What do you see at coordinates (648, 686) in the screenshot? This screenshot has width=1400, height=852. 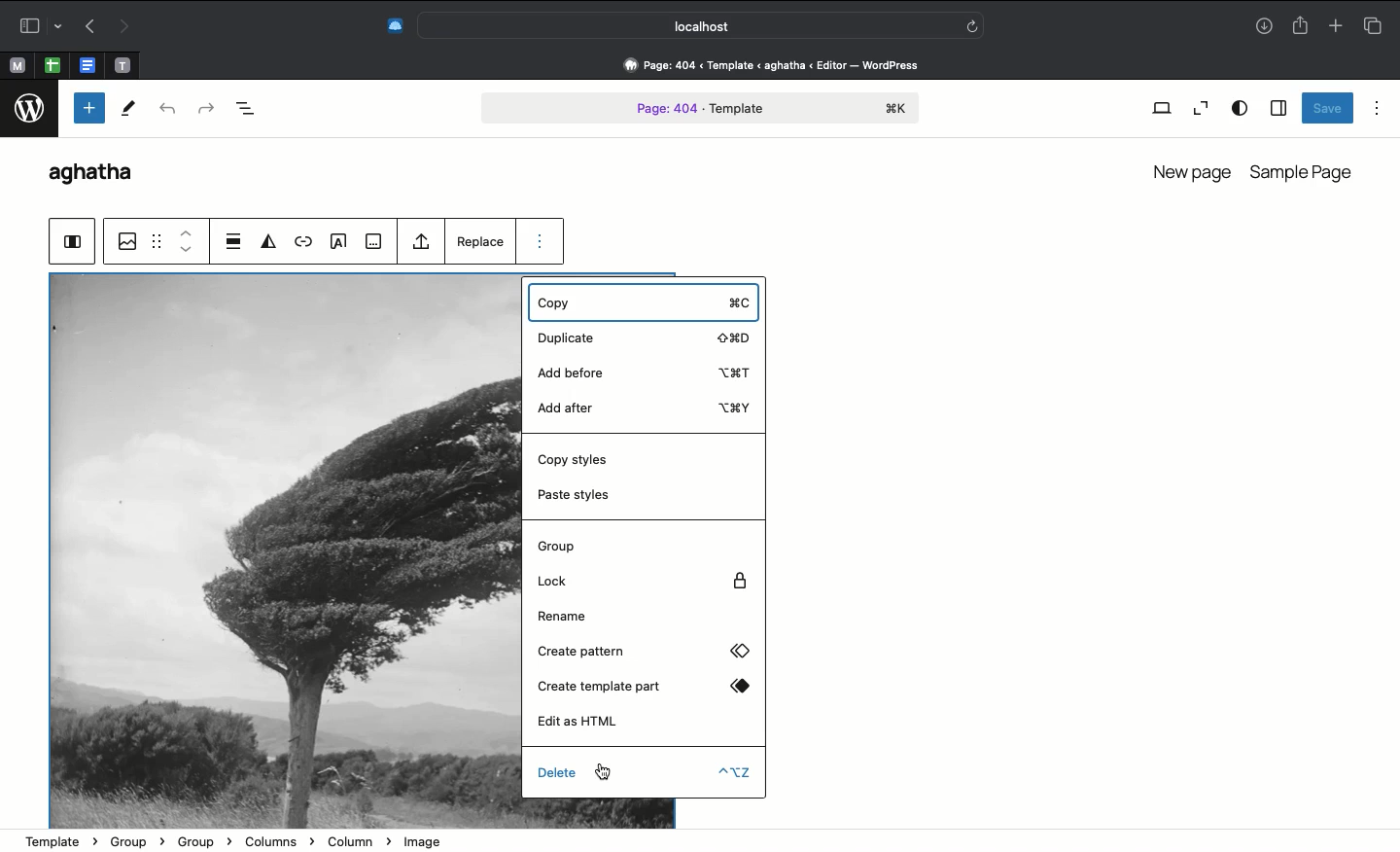 I see `Create template part` at bounding box center [648, 686].